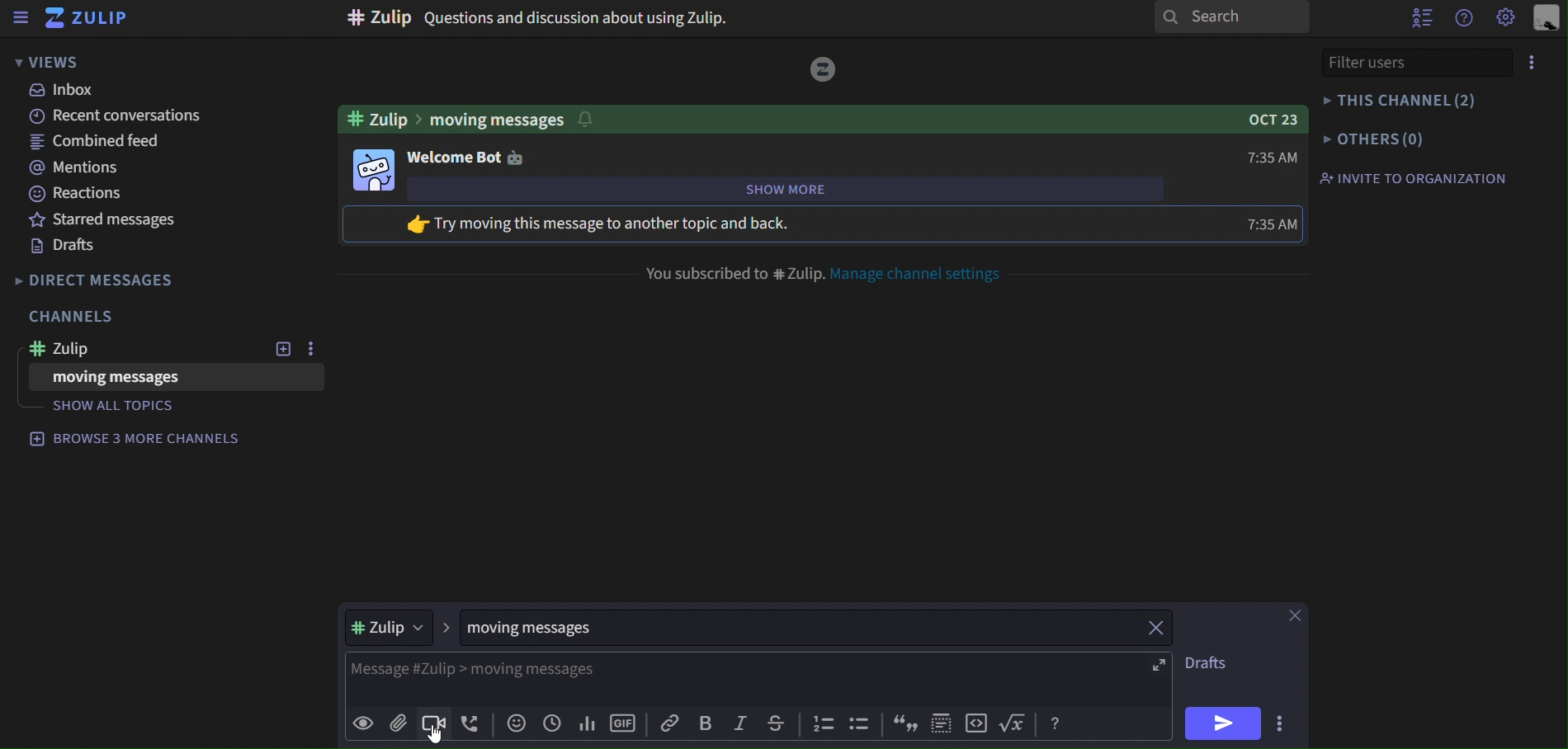 The width and height of the screenshot is (1568, 749). Describe the element at coordinates (1411, 62) in the screenshot. I see `filter users` at that location.